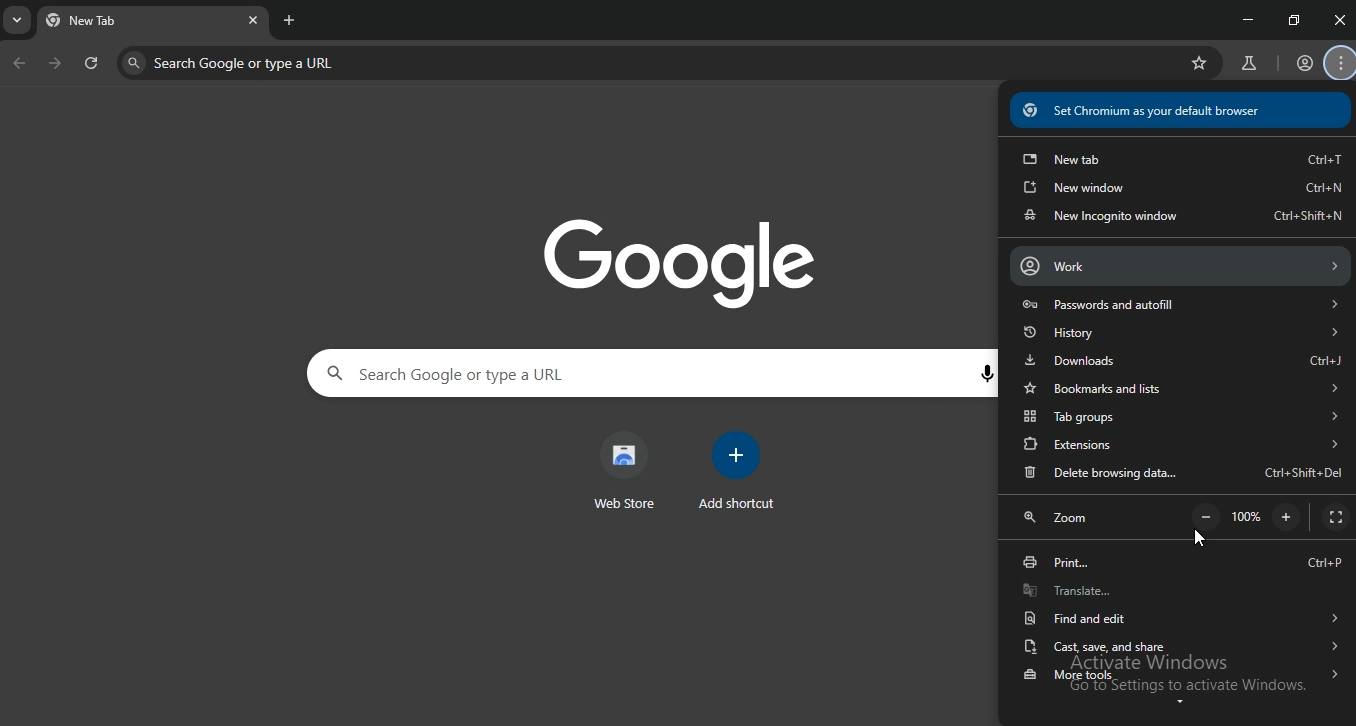  I want to click on account, so click(1175, 266).